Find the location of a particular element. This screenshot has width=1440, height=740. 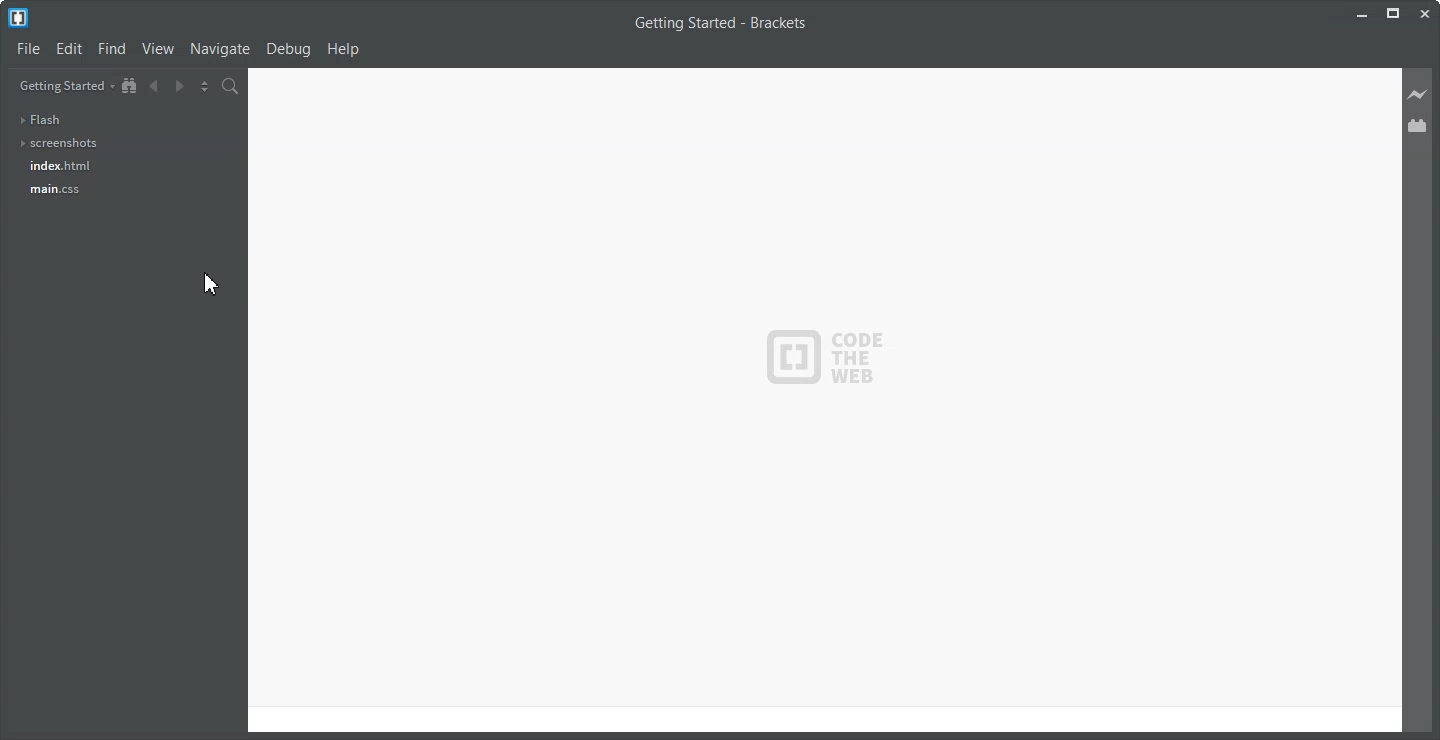

Cursor is located at coordinates (210, 284).